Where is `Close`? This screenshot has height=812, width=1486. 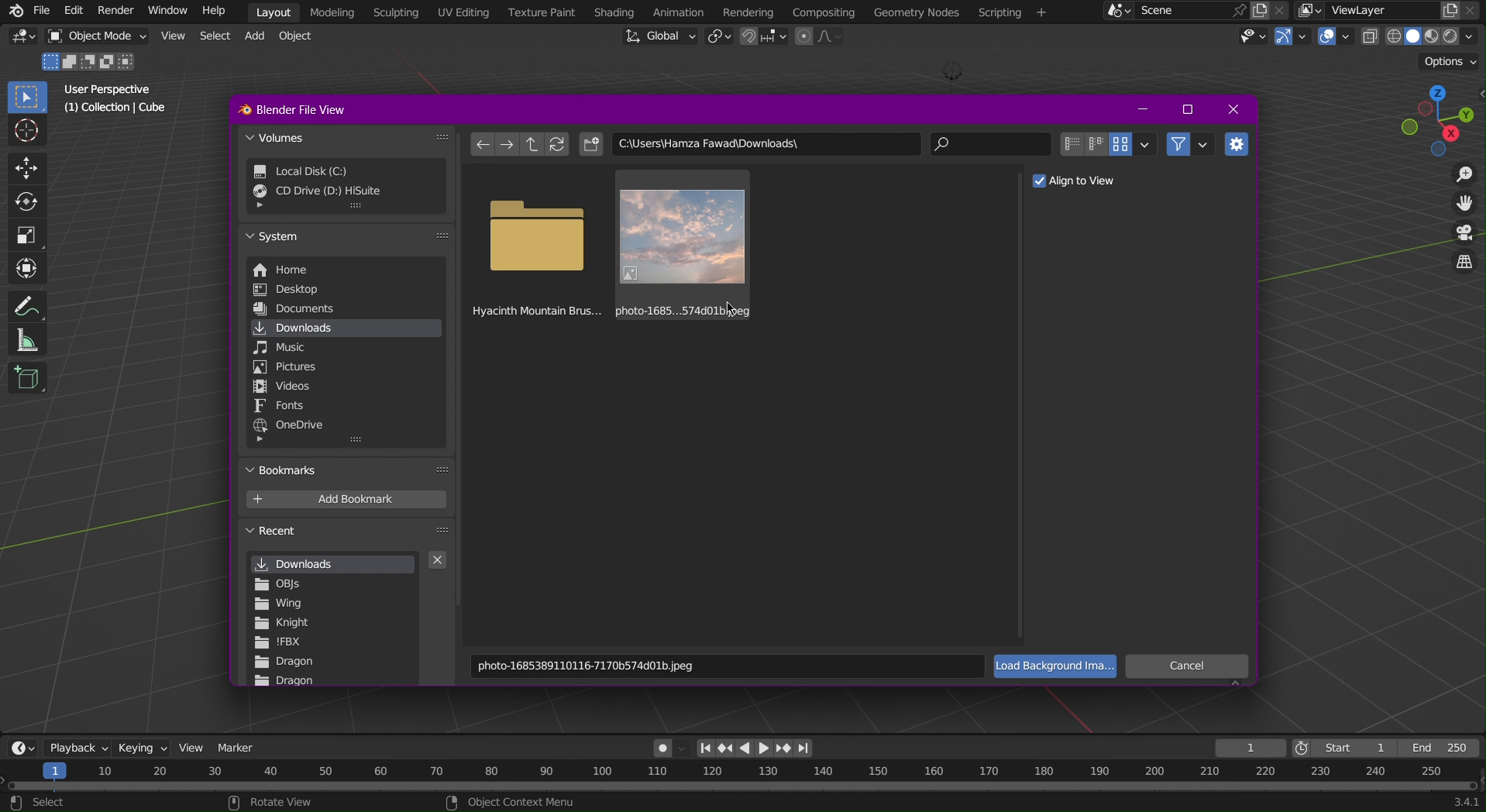 Close is located at coordinates (442, 563).